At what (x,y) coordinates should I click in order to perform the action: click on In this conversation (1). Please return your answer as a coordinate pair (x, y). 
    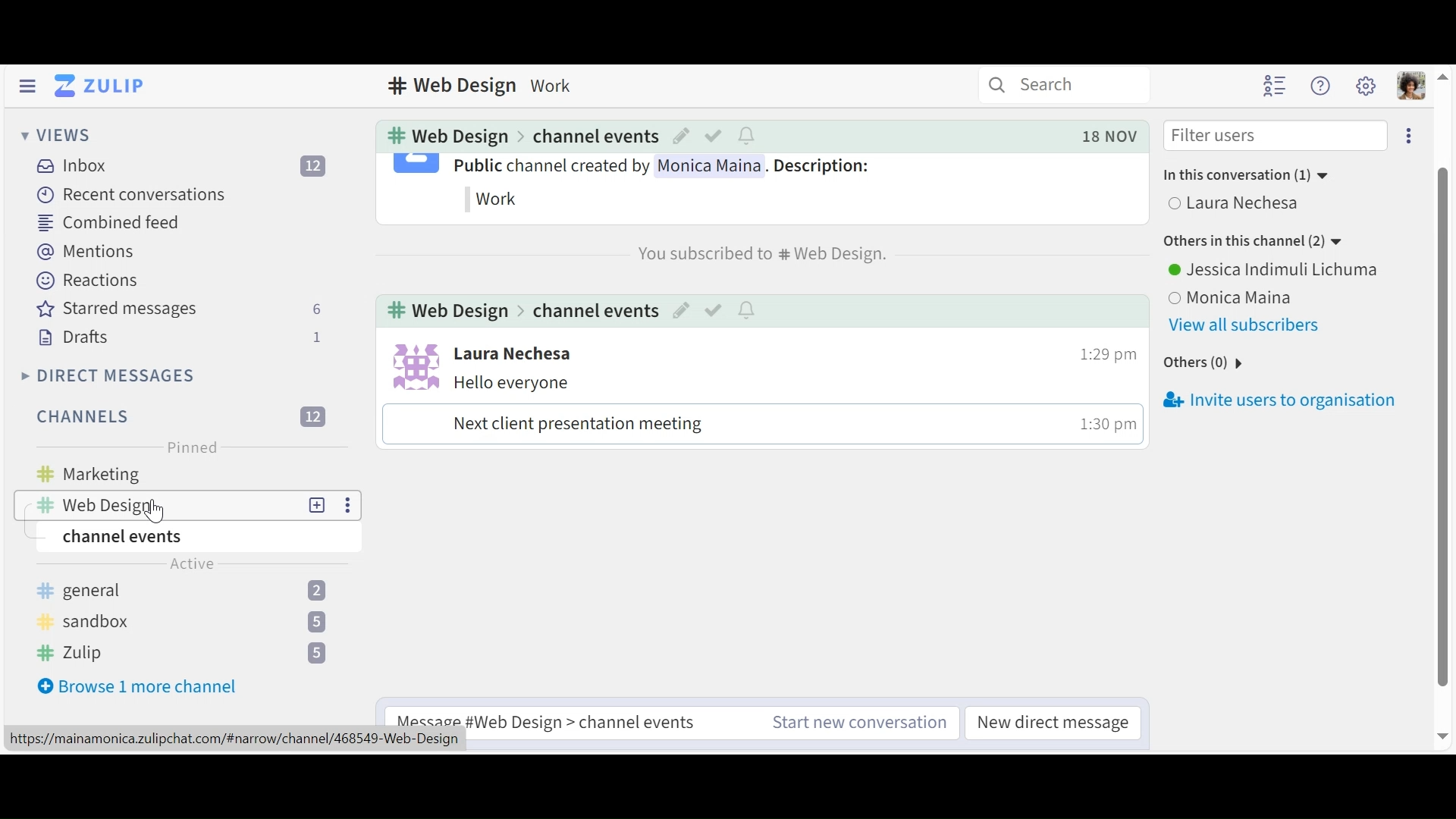
    Looking at the image, I should click on (1257, 176).